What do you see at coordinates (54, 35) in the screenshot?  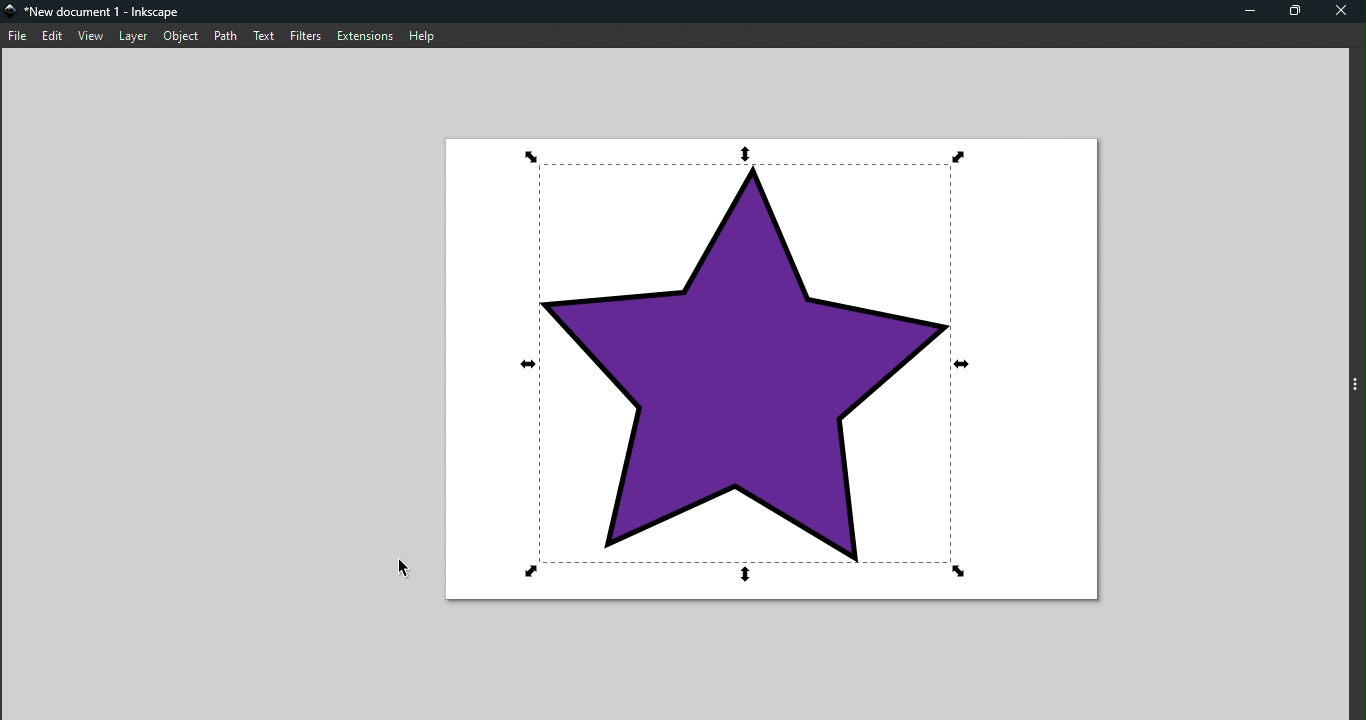 I see `Edit` at bounding box center [54, 35].